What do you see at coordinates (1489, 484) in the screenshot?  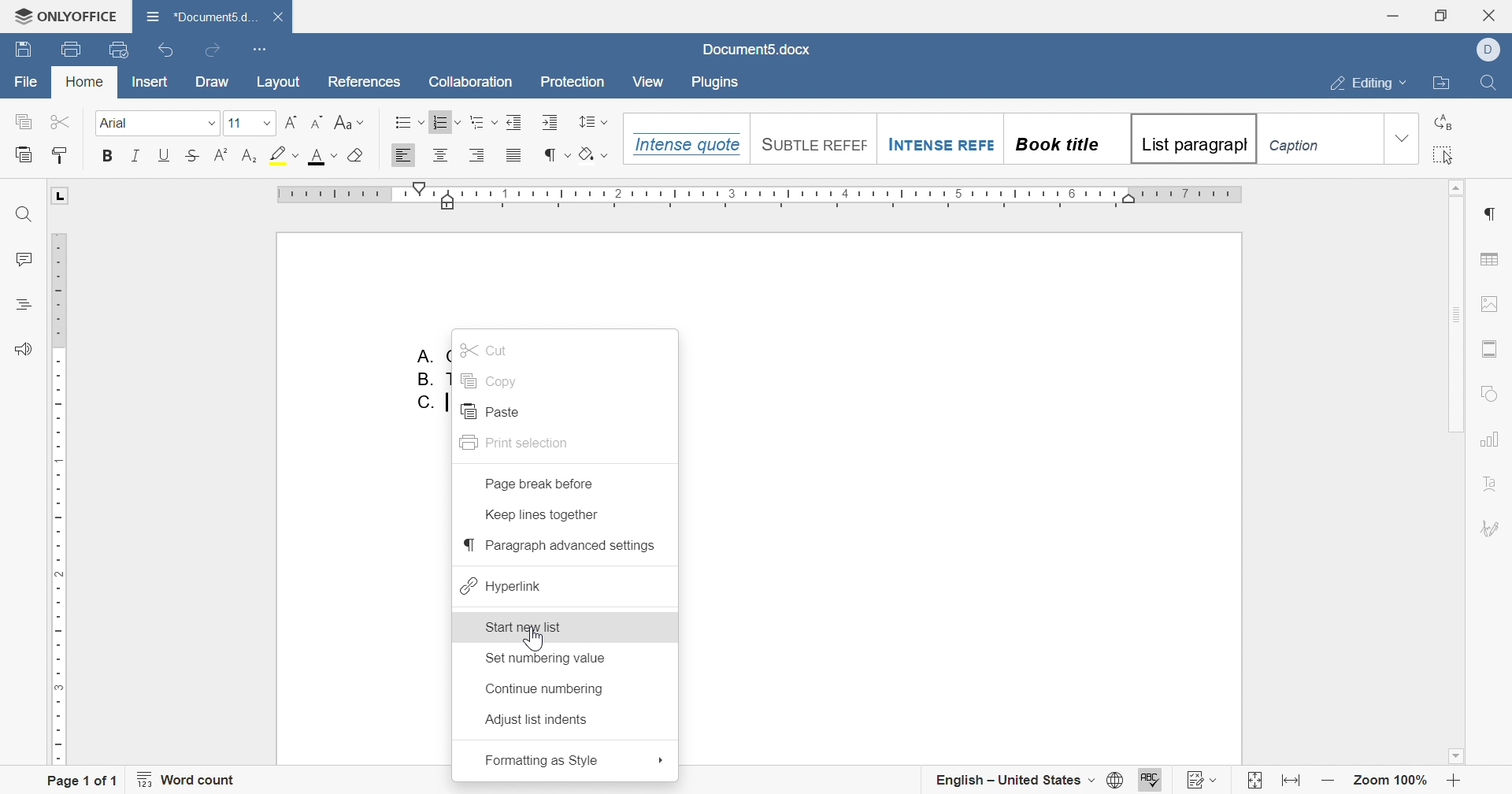 I see `text art settings` at bounding box center [1489, 484].